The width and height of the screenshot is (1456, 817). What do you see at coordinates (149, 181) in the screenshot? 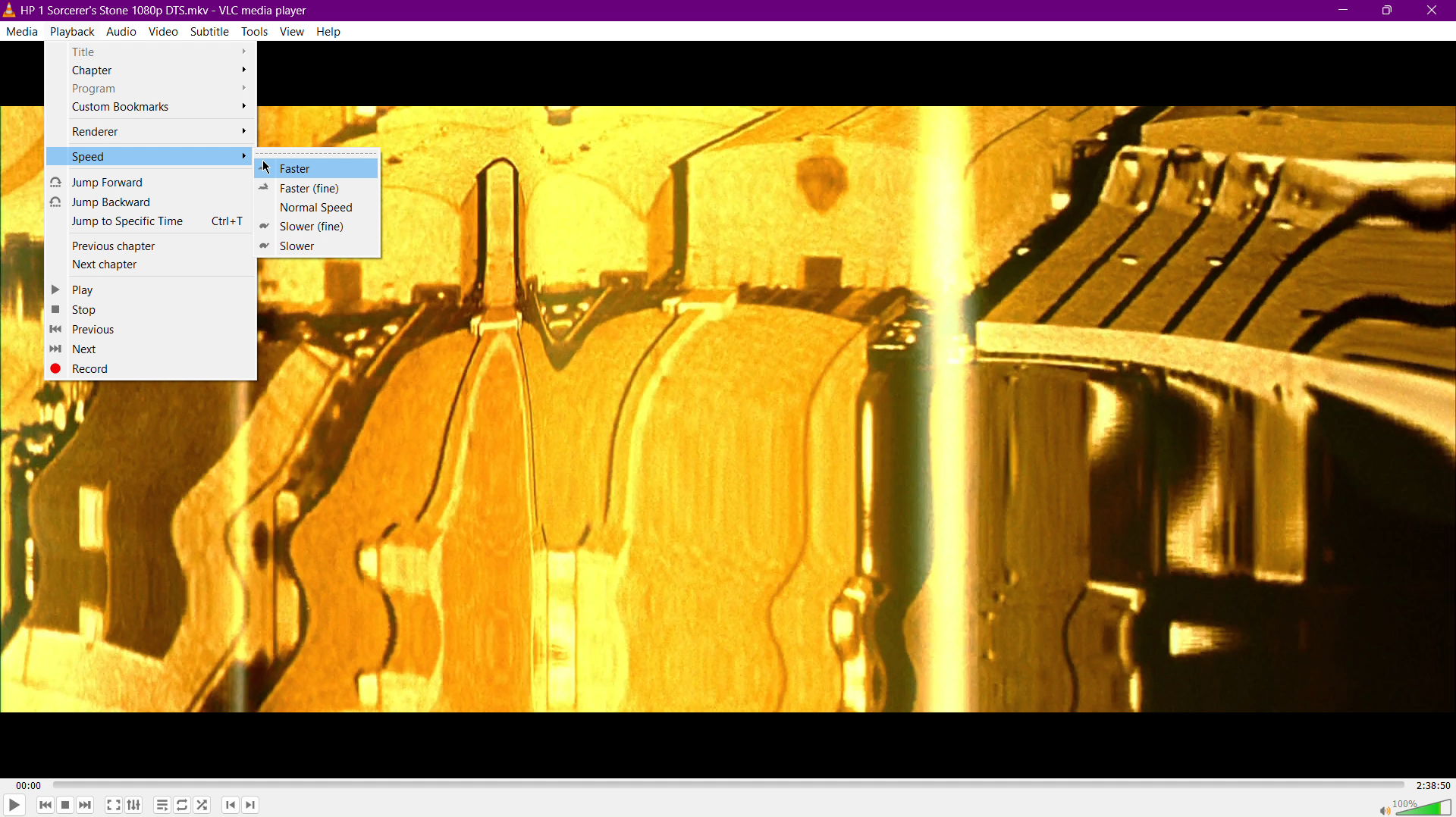
I see `Jump Forward` at bounding box center [149, 181].